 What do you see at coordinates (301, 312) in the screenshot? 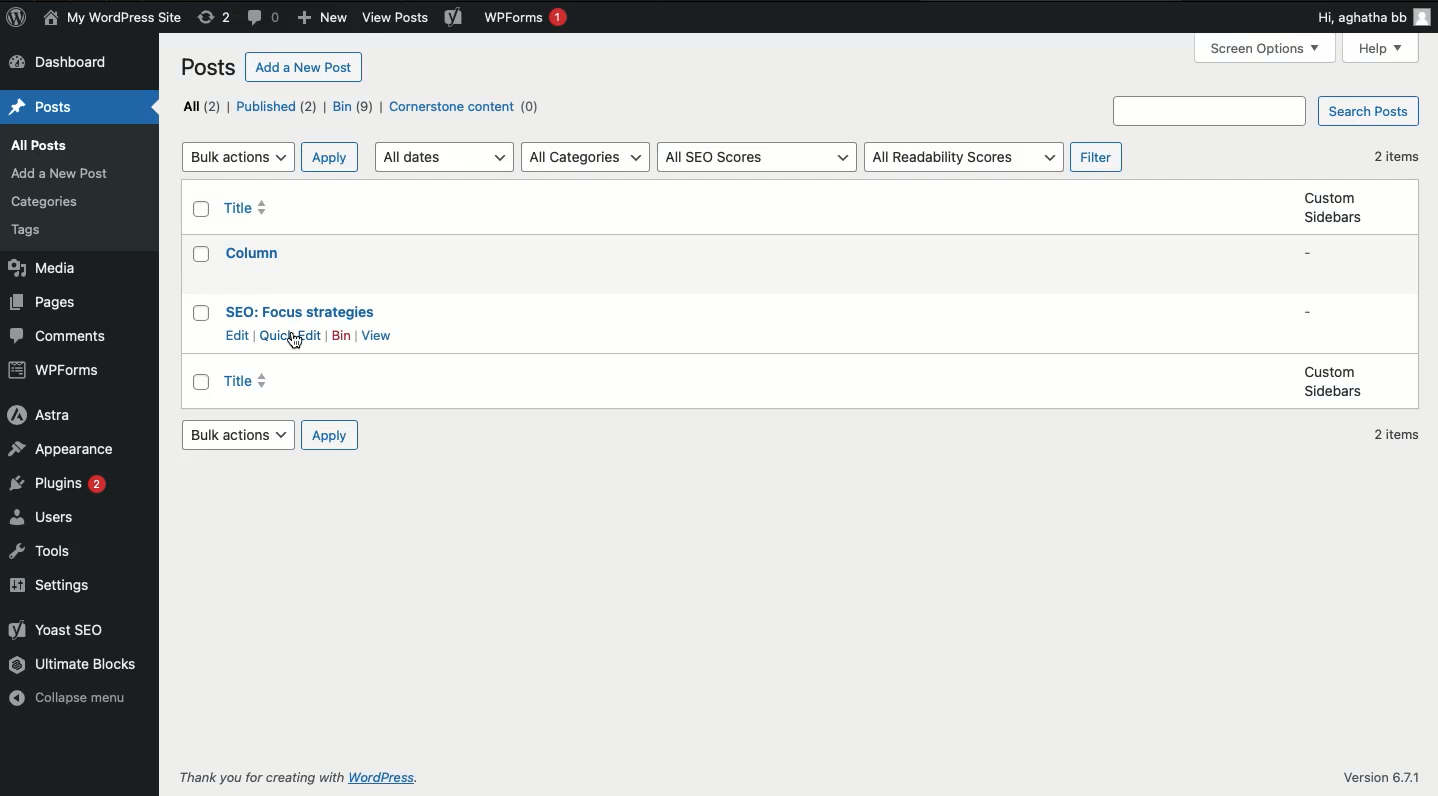
I see `Title` at bounding box center [301, 312].